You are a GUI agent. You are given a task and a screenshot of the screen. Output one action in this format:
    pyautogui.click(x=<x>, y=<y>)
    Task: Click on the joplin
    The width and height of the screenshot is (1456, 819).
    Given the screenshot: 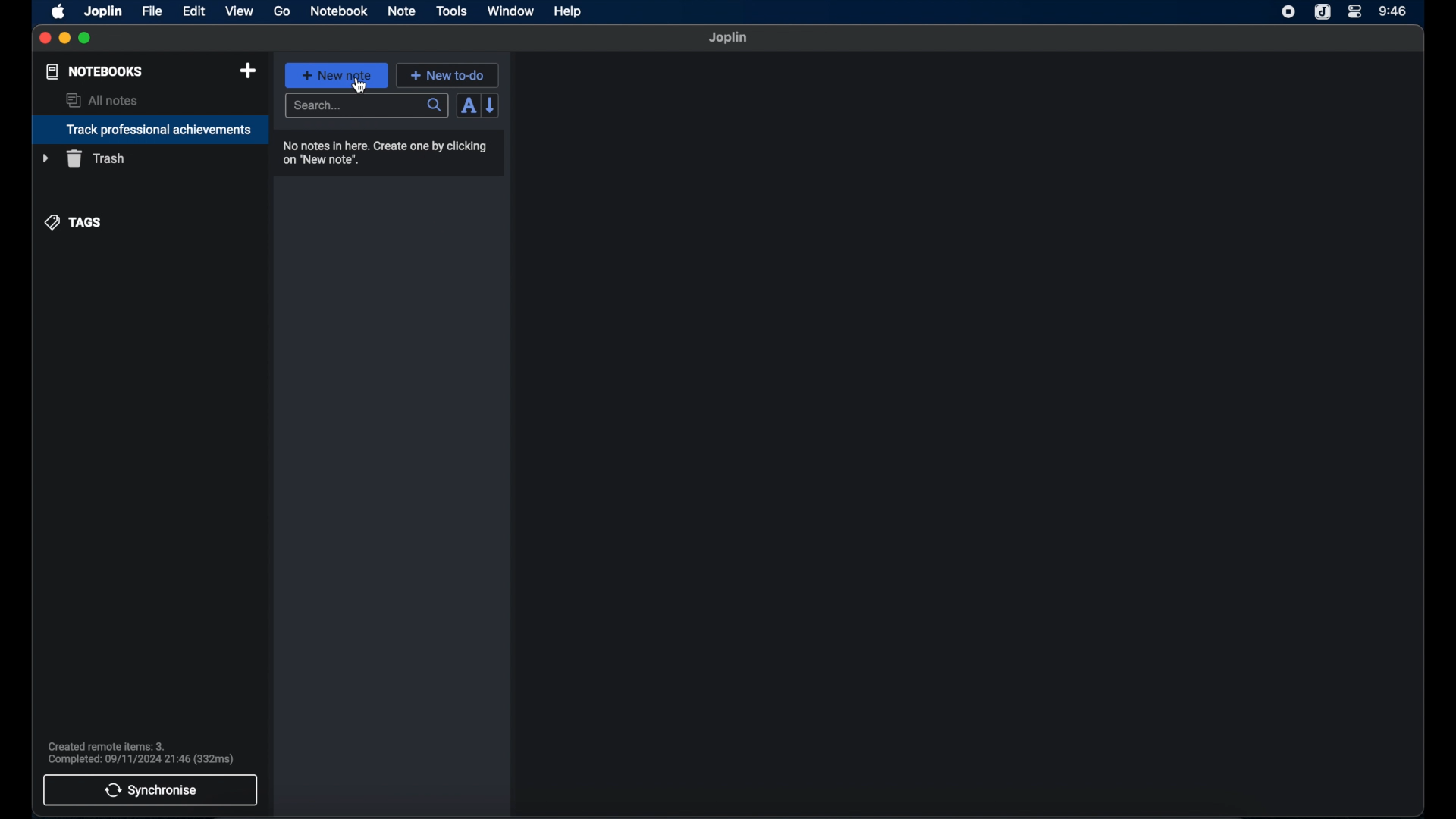 What is the action you would take?
    pyautogui.click(x=104, y=11)
    